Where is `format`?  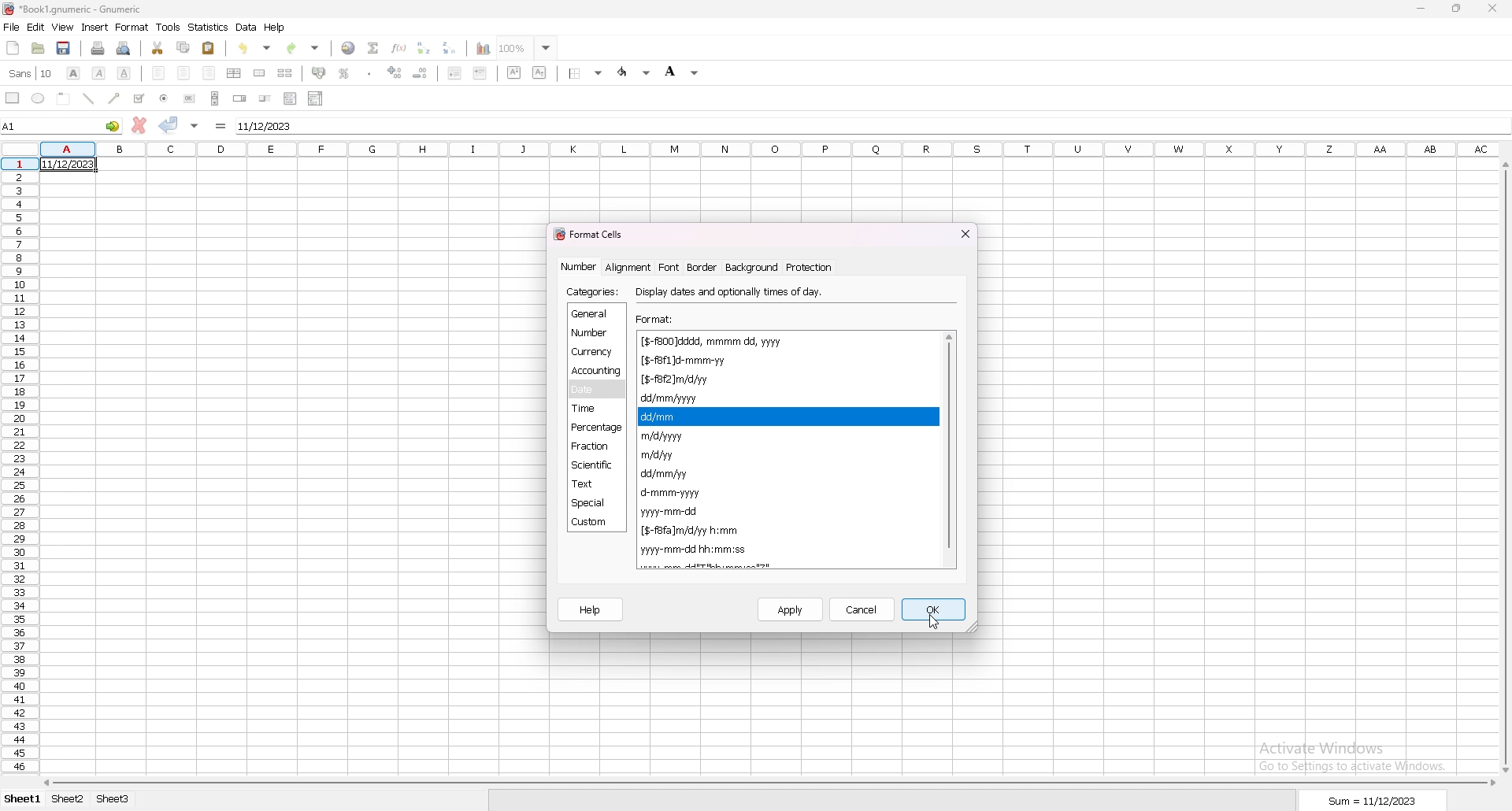
format is located at coordinates (657, 319).